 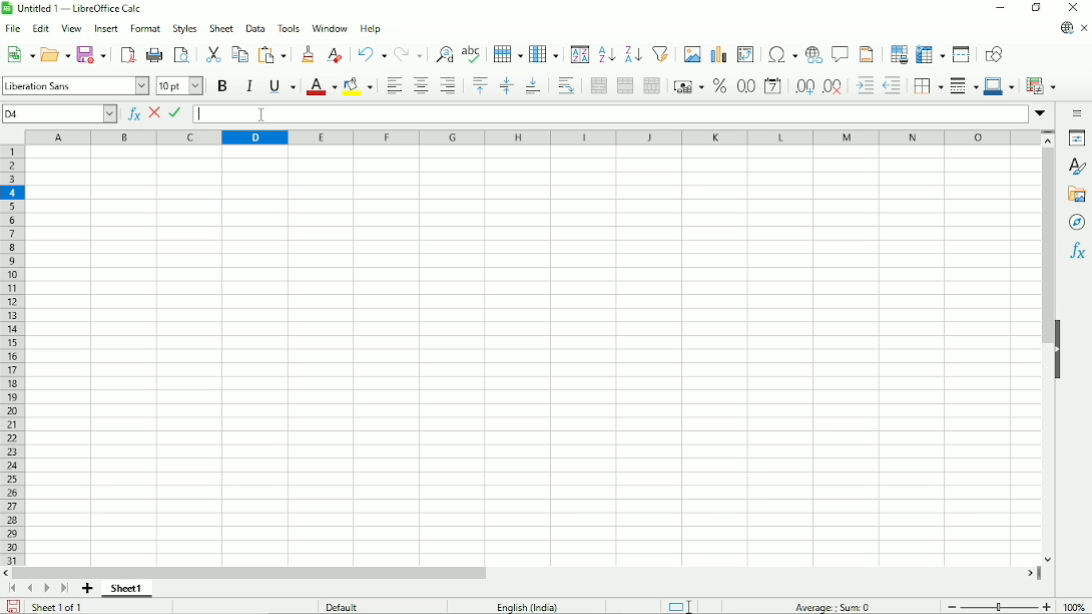 I want to click on Accept, so click(x=177, y=113).